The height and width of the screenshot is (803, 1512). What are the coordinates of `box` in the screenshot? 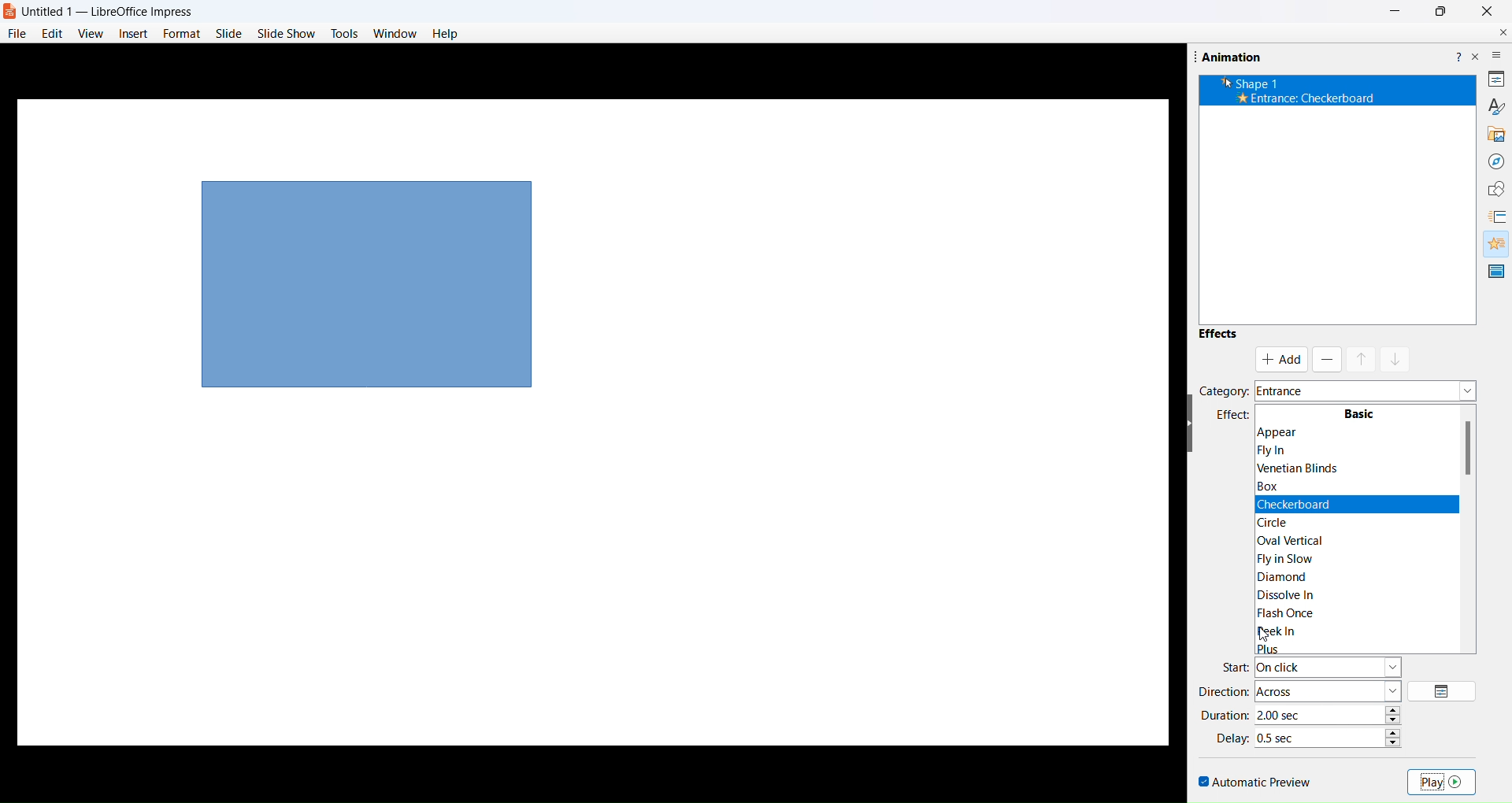 It's located at (1281, 486).